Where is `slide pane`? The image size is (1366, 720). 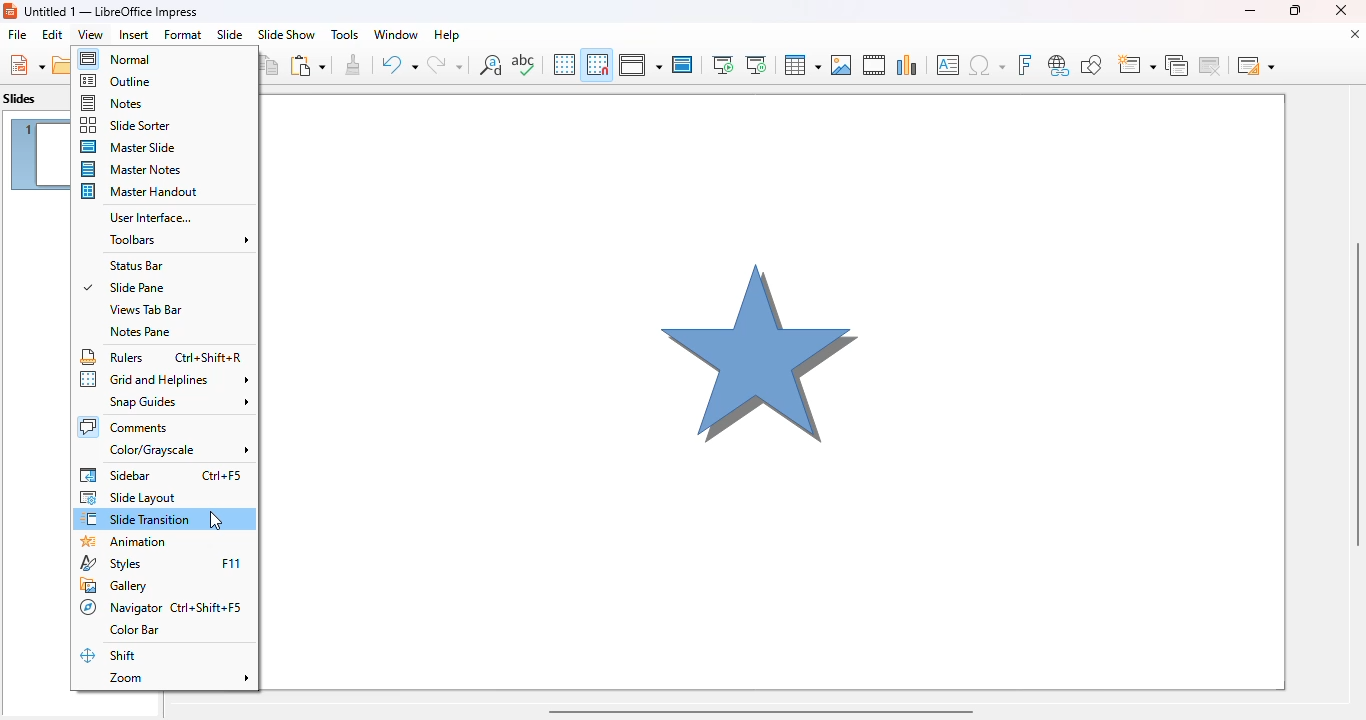 slide pane is located at coordinates (125, 287).